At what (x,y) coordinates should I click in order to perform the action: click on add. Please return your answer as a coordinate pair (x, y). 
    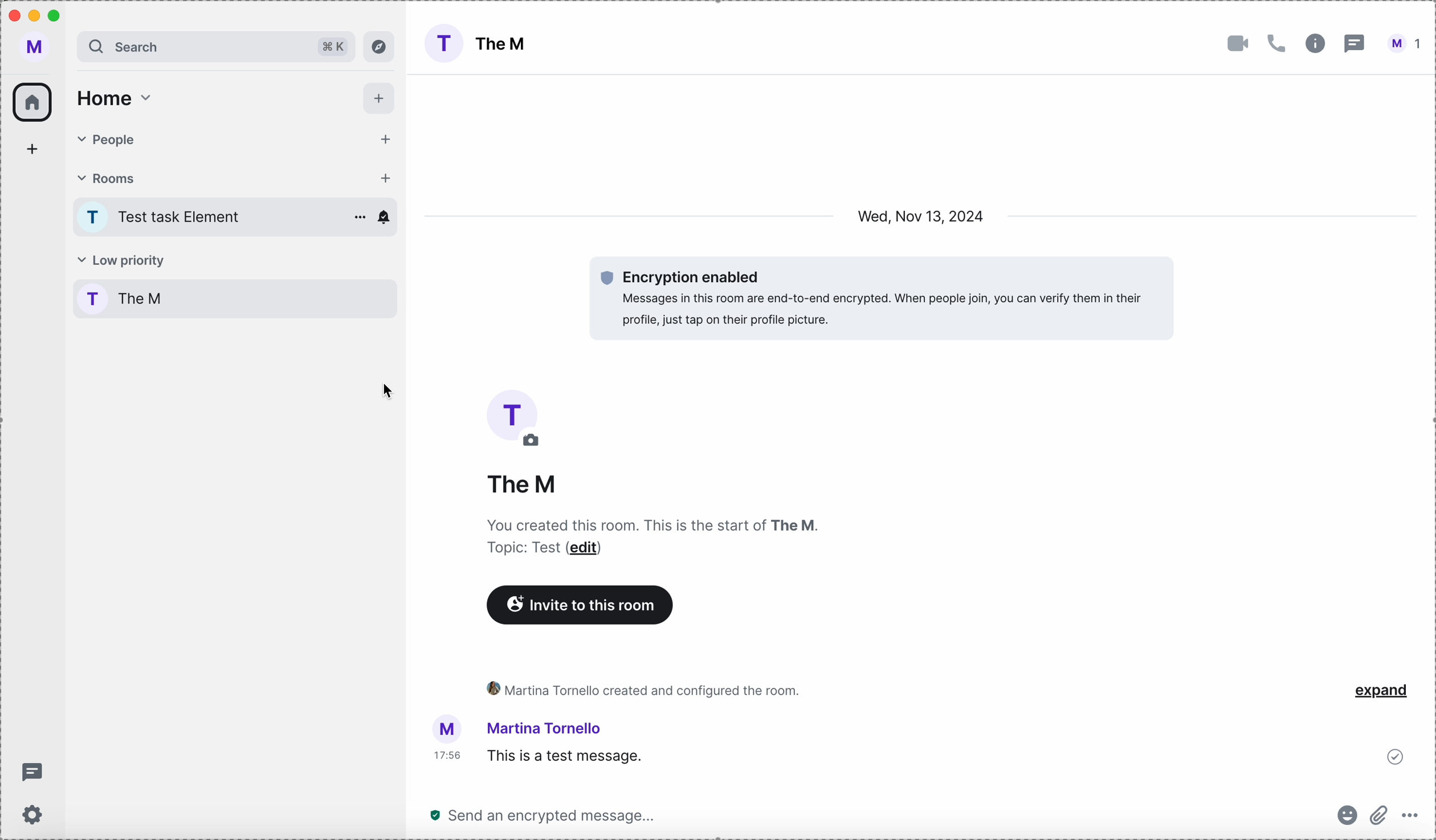
    Looking at the image, I should click on (381, 99).